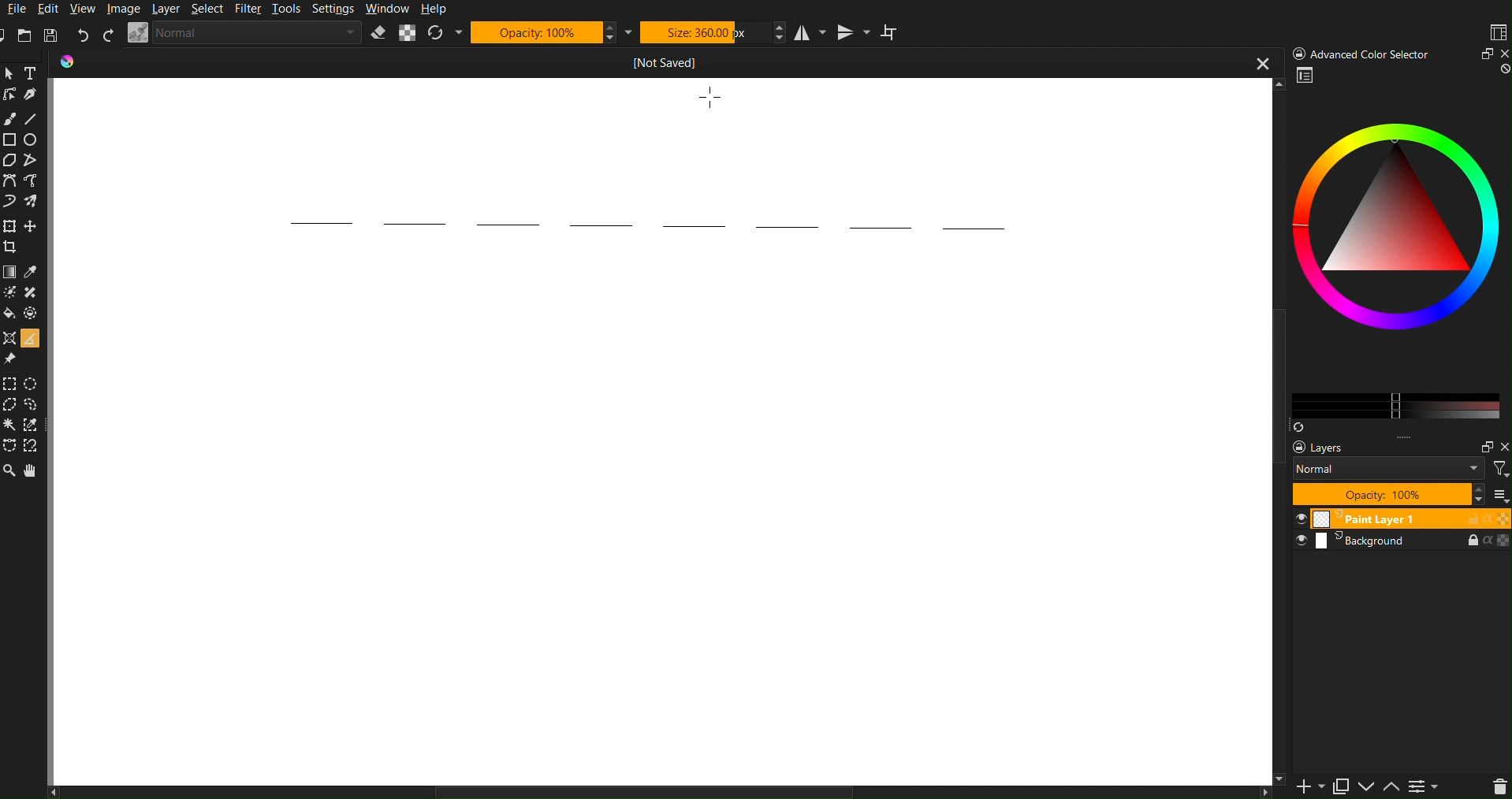  I want to click on Picker Marquee, so click(33, 426).